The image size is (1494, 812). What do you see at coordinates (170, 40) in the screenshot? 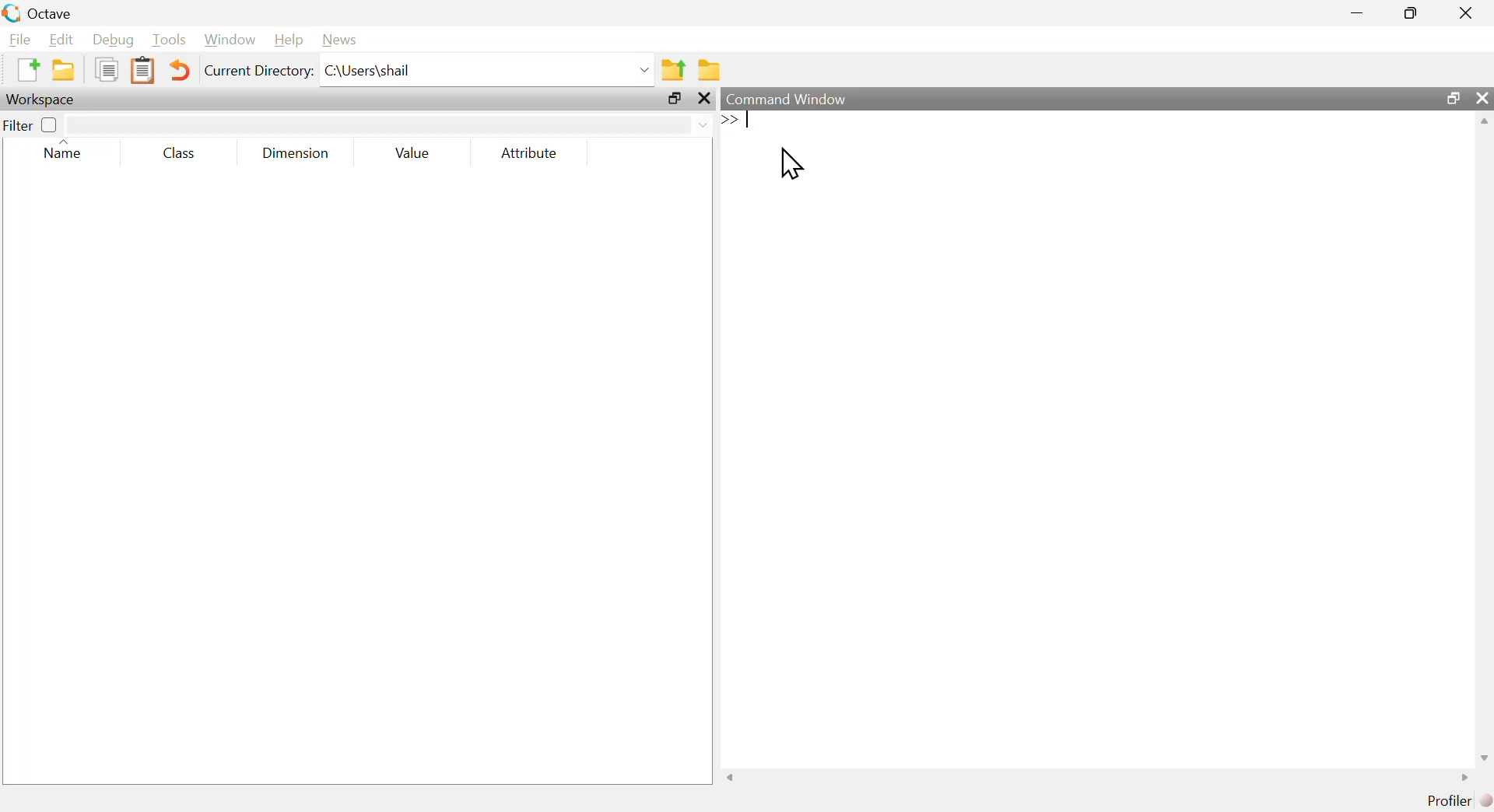
I see `Tools` at bounding box center [170, 40].